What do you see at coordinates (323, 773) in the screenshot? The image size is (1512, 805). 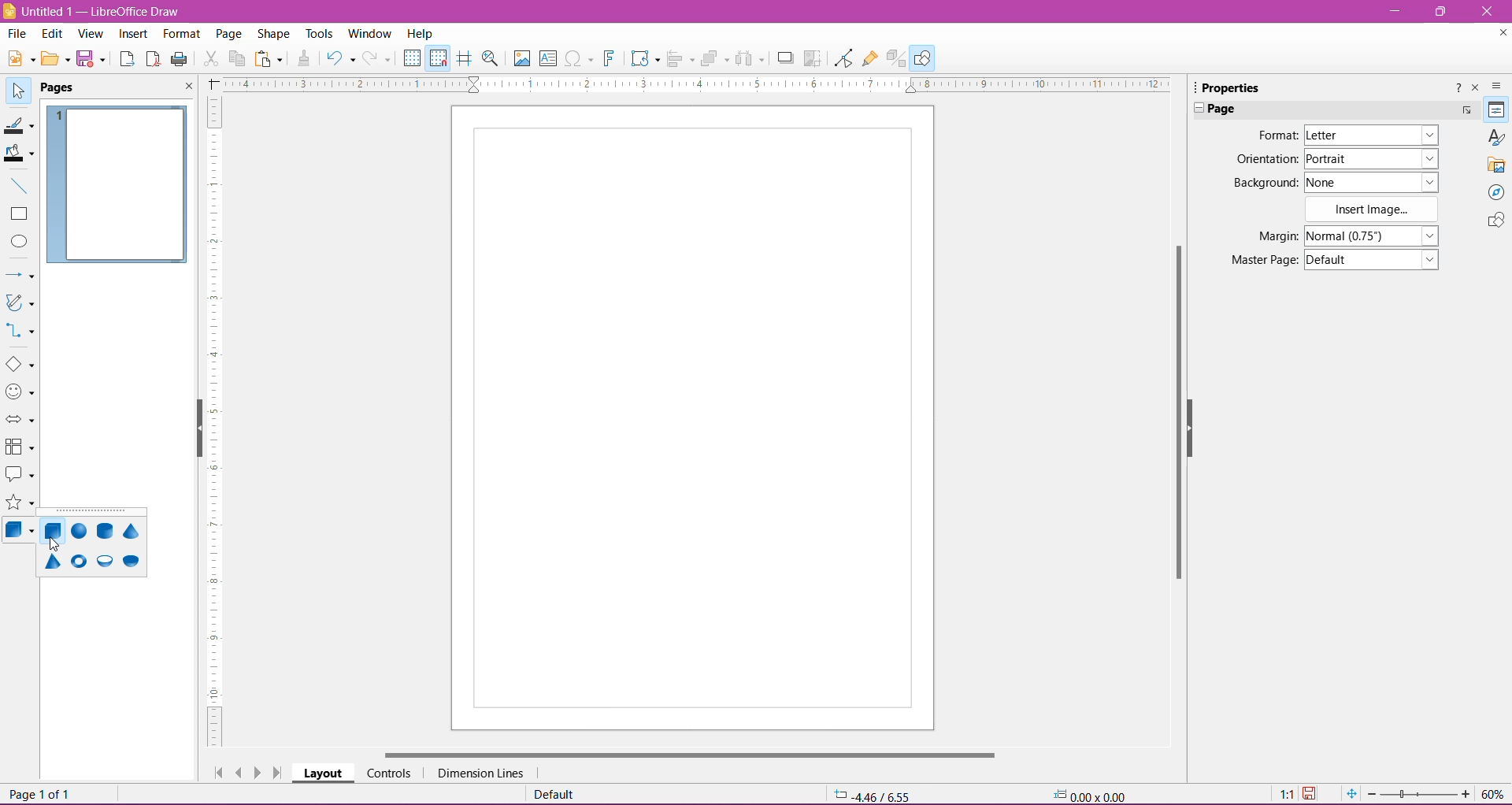 I see `Layout` at bounding box center [323, 773].